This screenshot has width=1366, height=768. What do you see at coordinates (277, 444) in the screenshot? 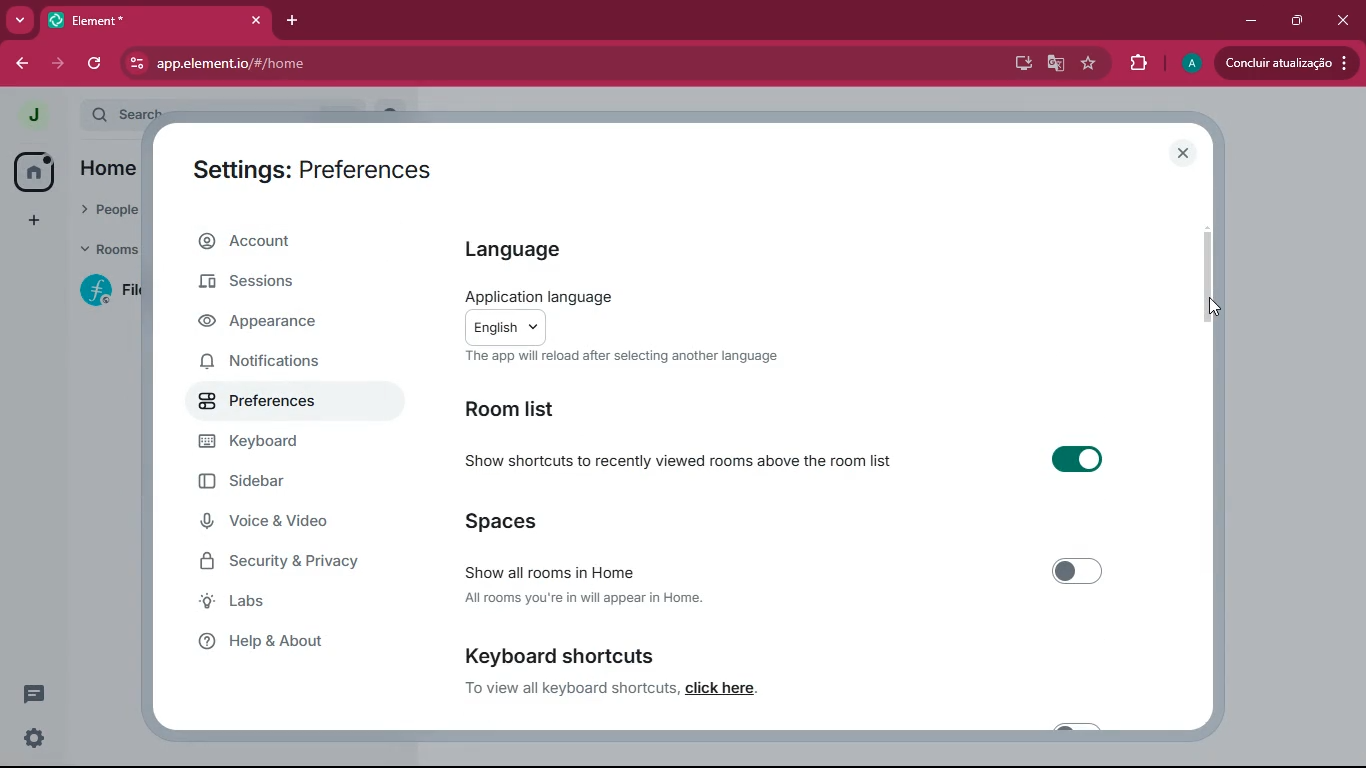
I see `keyboard` at bounding box center [277, 444].